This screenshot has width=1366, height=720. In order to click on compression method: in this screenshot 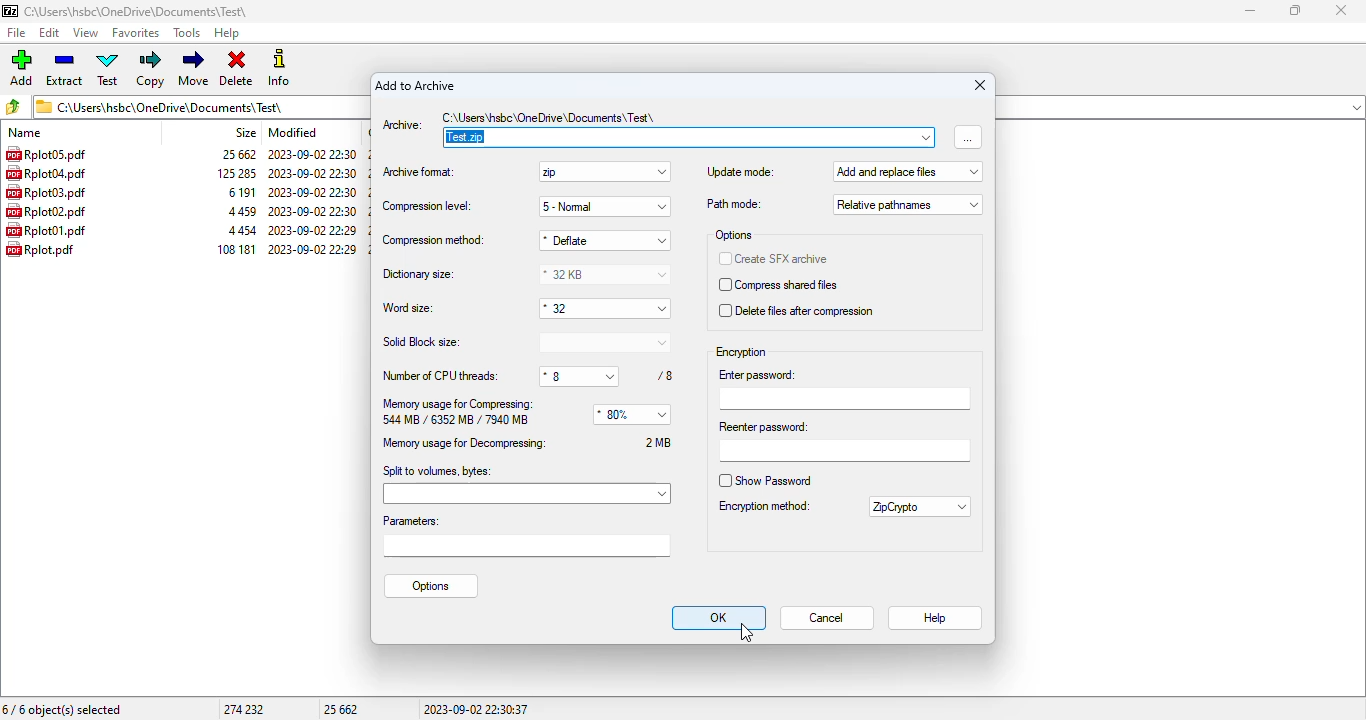, I will do `click(434, 240)`.